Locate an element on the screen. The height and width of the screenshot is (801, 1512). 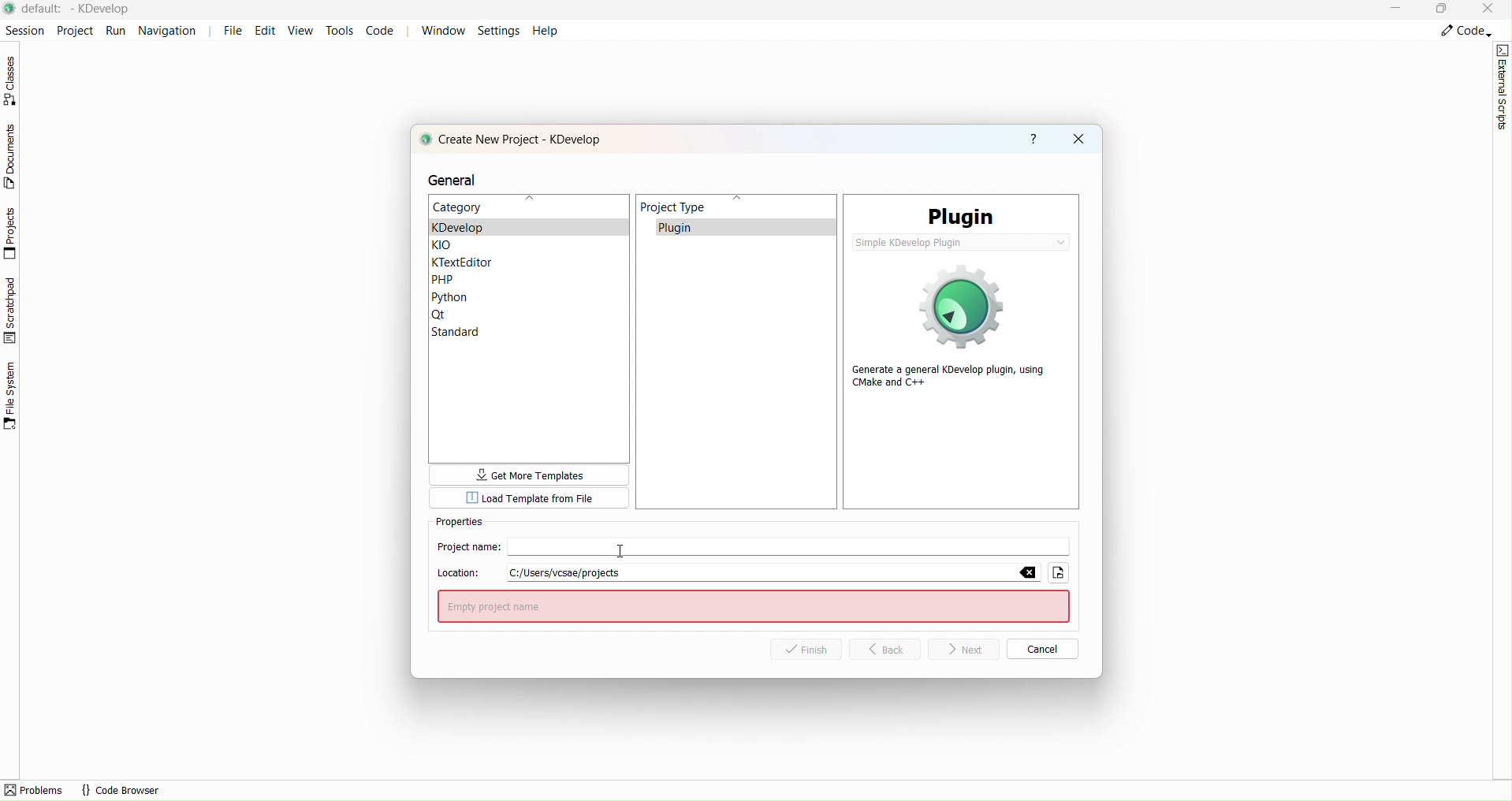
PLugin is located at coordinates (962, 213).